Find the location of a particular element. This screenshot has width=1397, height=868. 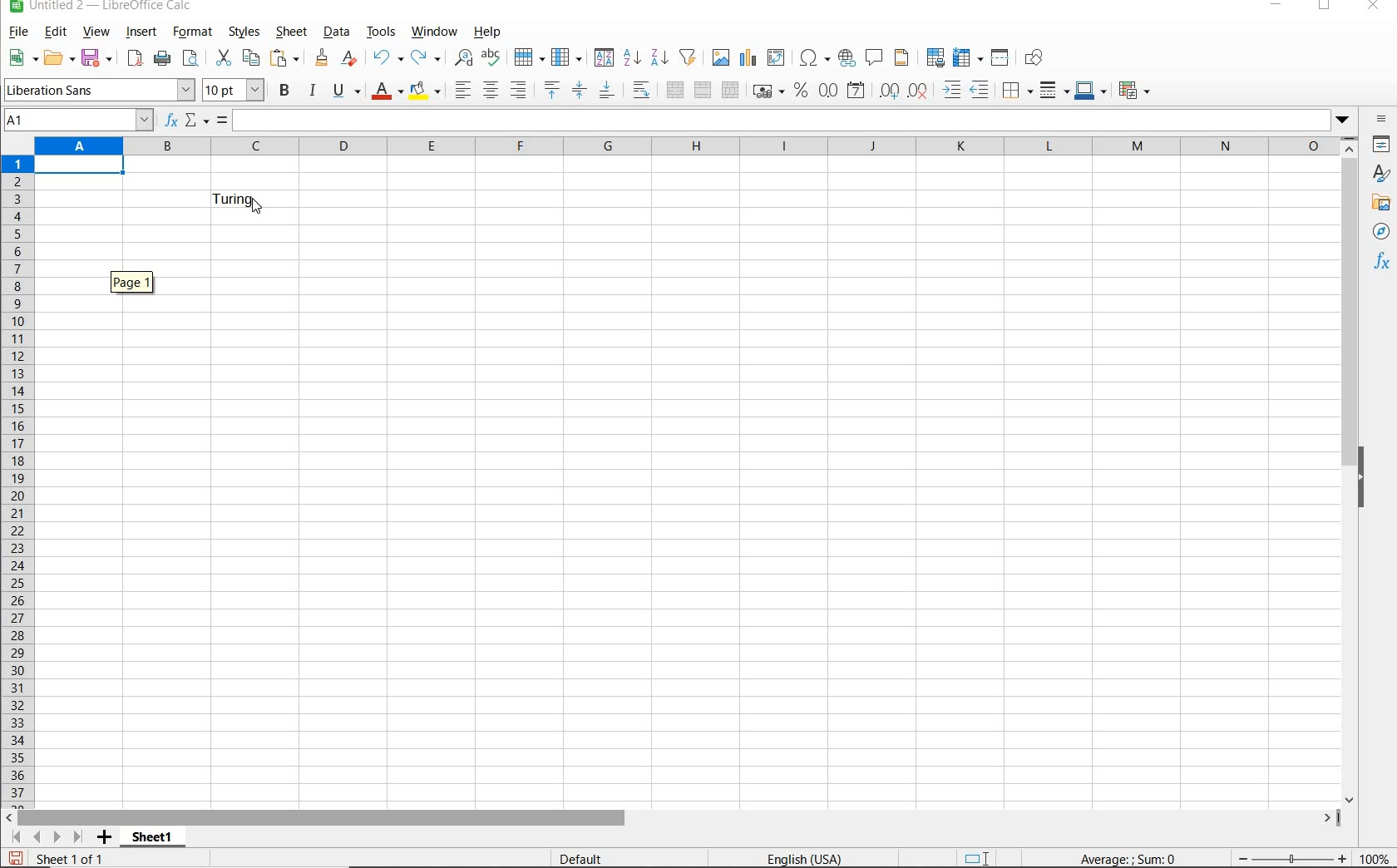

CLEAR DIRECT FORMATTING is located at coordinates (346, 57).